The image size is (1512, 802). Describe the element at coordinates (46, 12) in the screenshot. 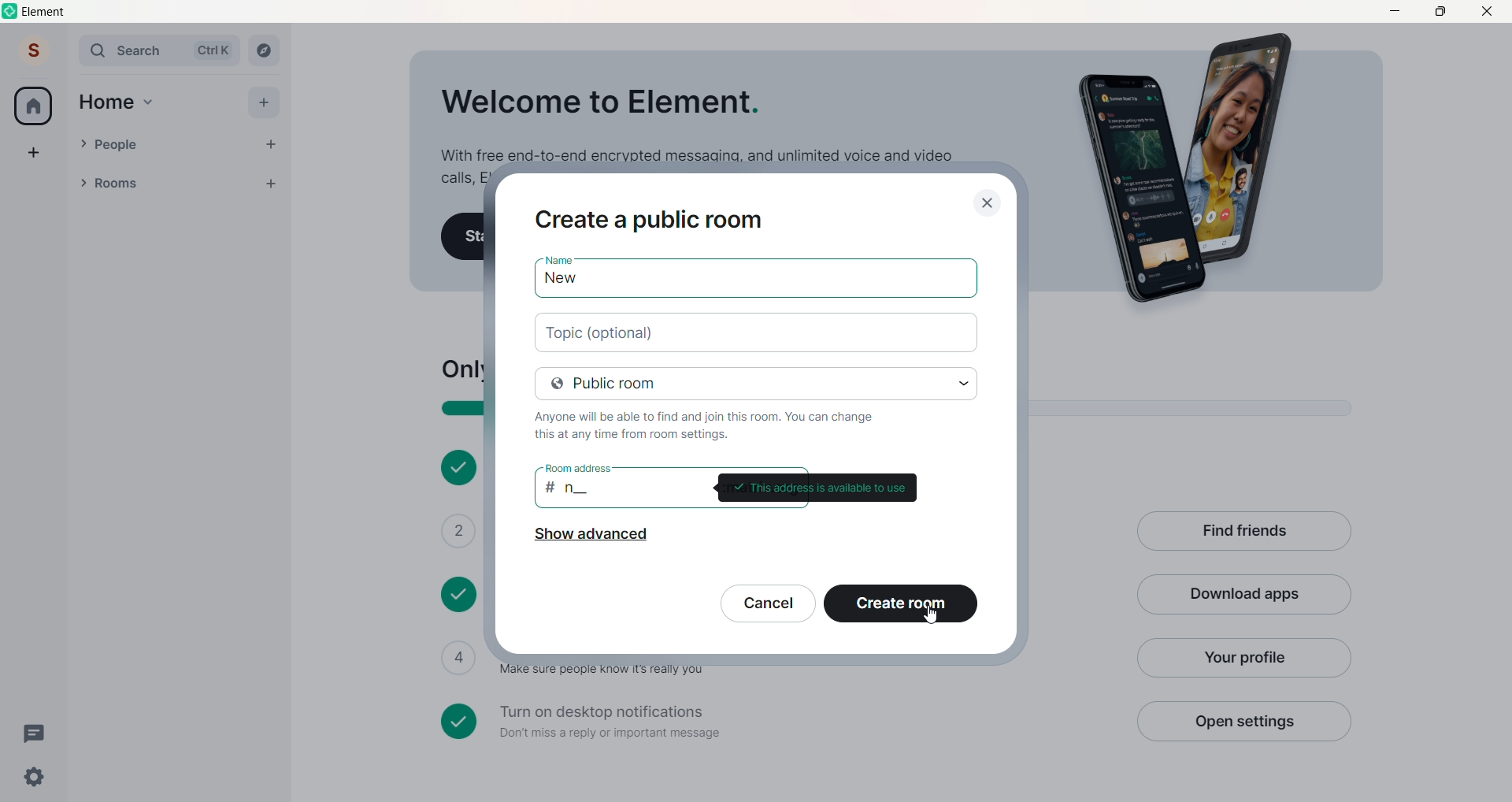

I see `Element` at that location.